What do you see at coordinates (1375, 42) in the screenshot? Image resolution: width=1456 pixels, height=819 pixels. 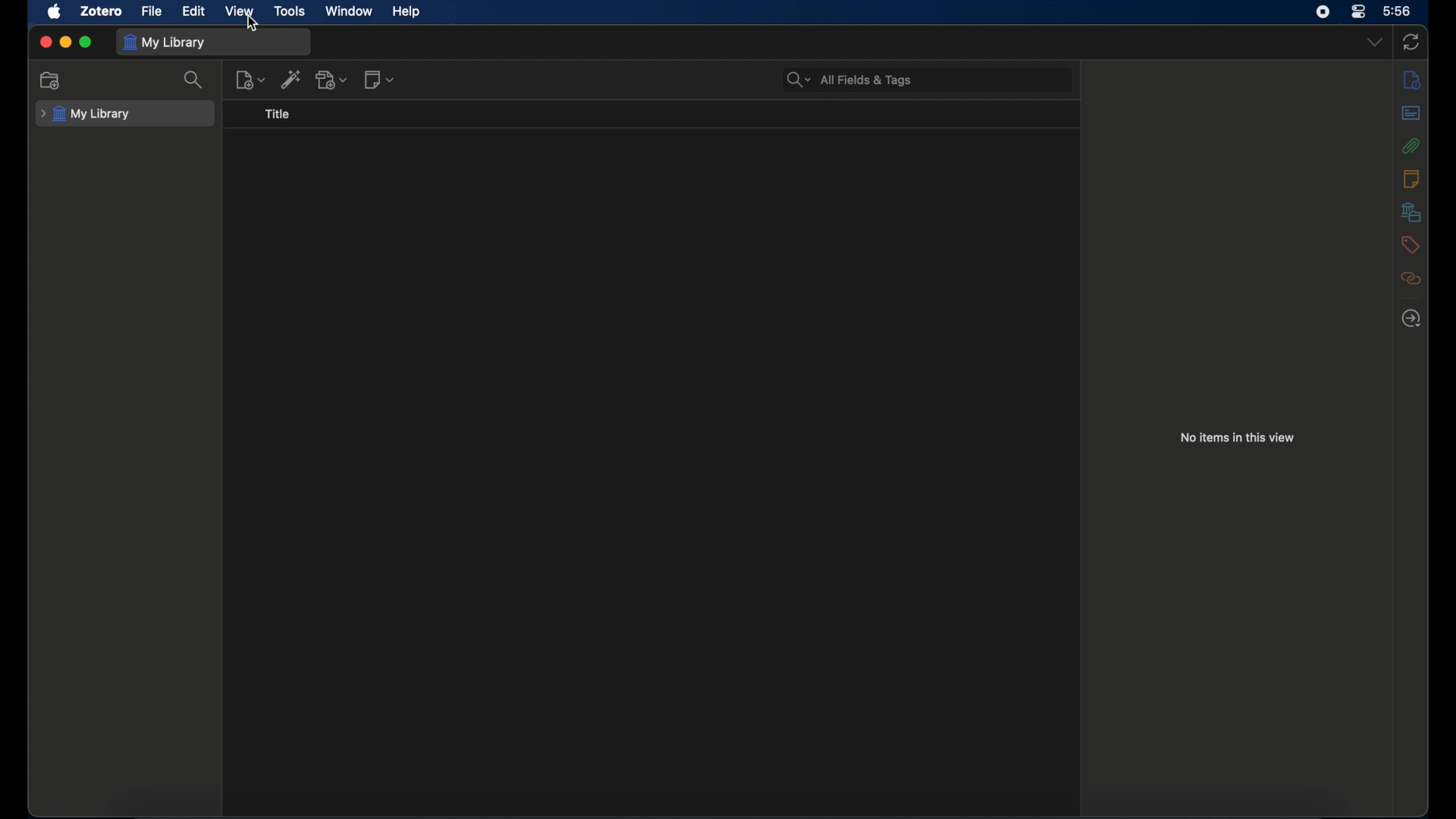 I see `dropdown` at bounding box center [1375, 42].